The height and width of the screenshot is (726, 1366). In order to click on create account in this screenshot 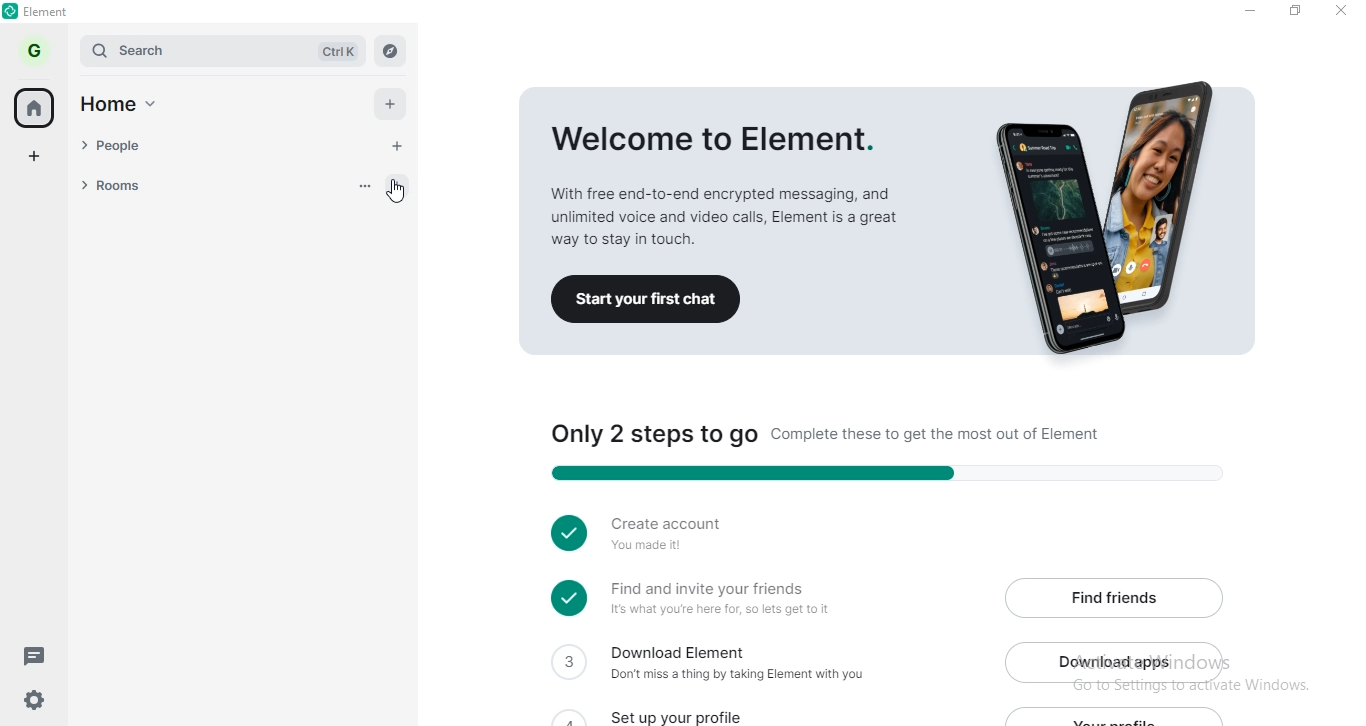, I will do `click(664, 534)`.